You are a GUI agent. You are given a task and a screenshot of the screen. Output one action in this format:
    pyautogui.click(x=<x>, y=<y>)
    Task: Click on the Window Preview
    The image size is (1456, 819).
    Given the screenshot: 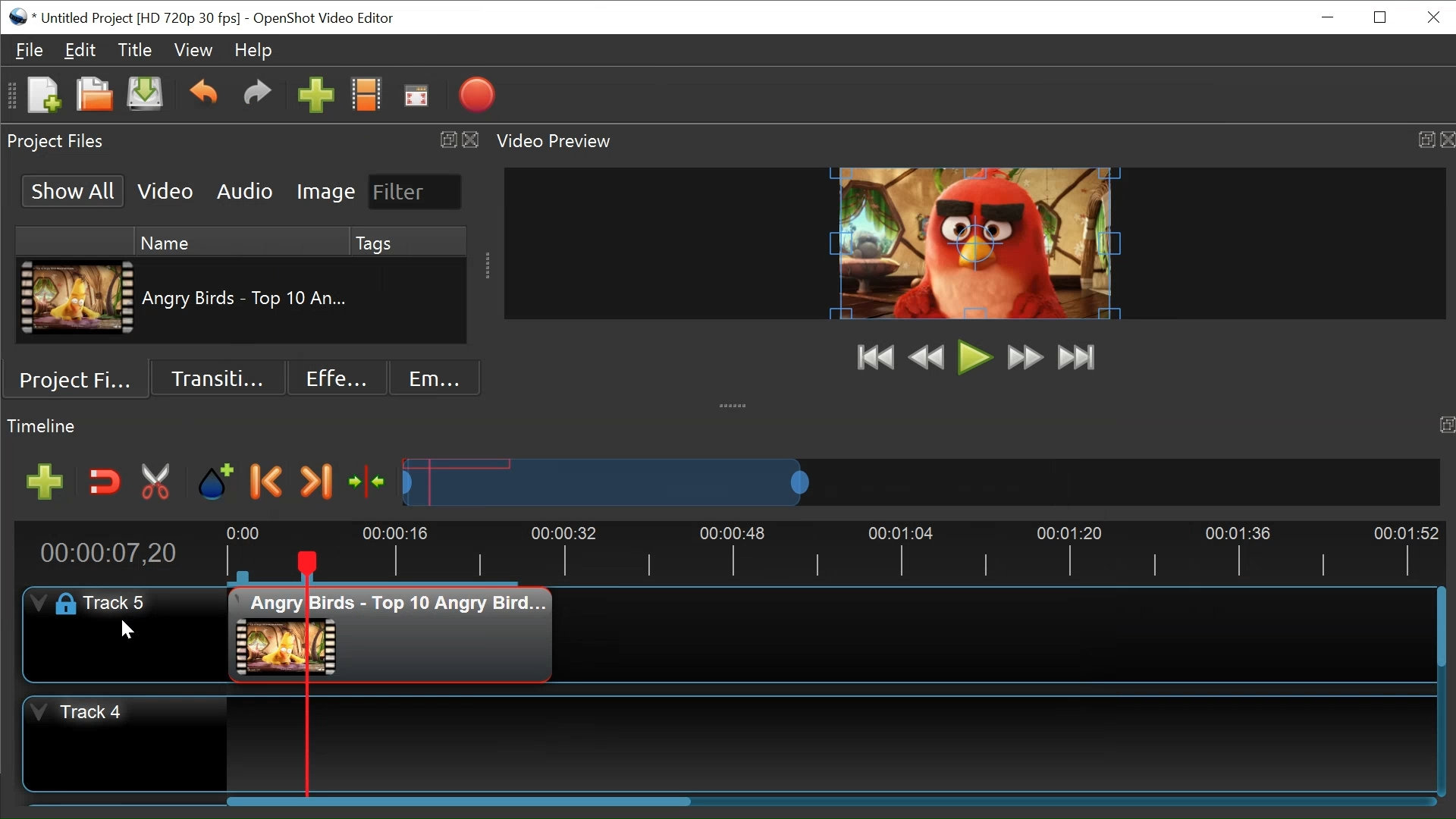 What is the action you would take?
    pyautogui.click(x=976, y=244)
    